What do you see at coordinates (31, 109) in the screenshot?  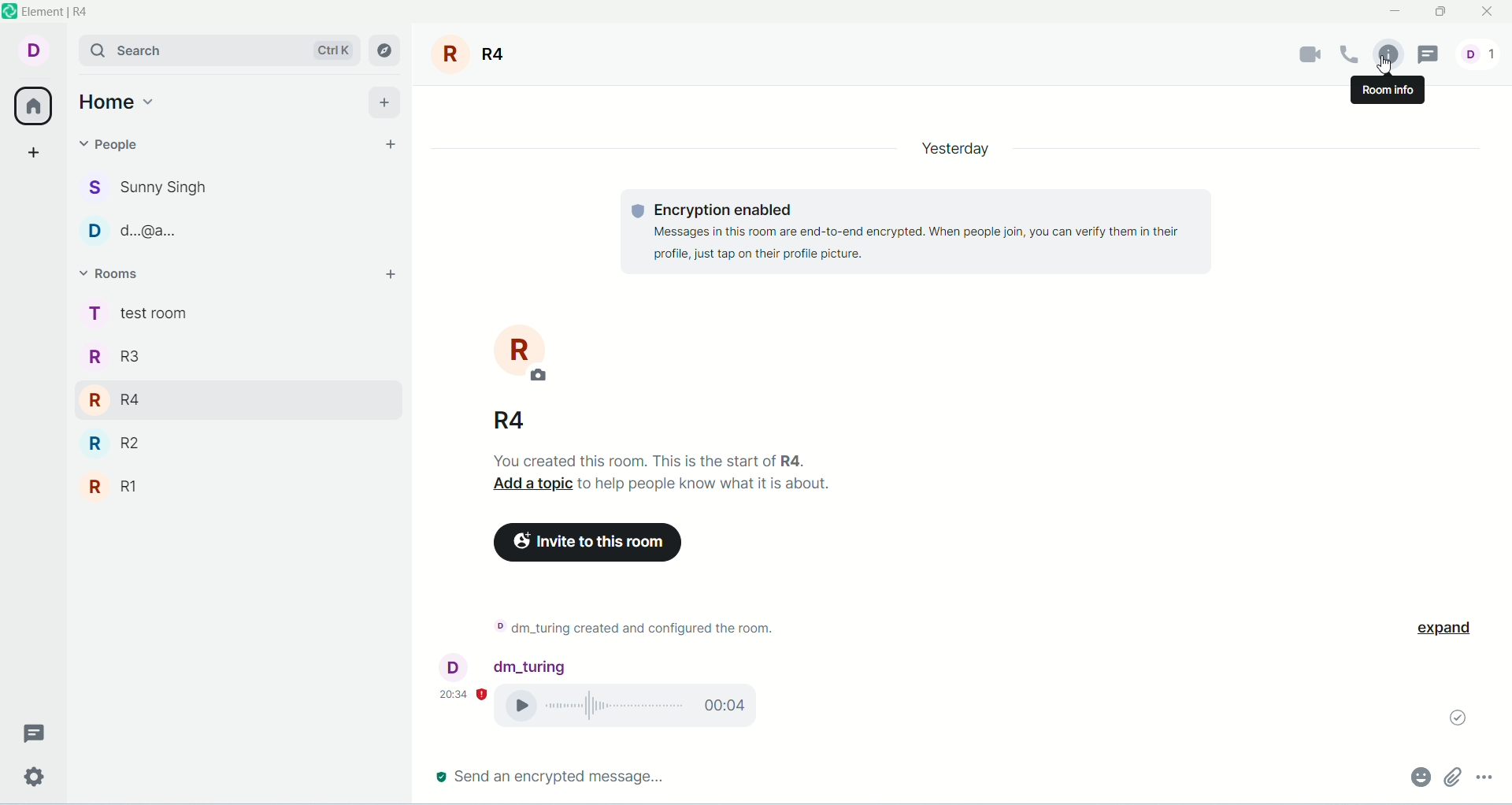 I see `all rooms` at bounding box center [31, 109].